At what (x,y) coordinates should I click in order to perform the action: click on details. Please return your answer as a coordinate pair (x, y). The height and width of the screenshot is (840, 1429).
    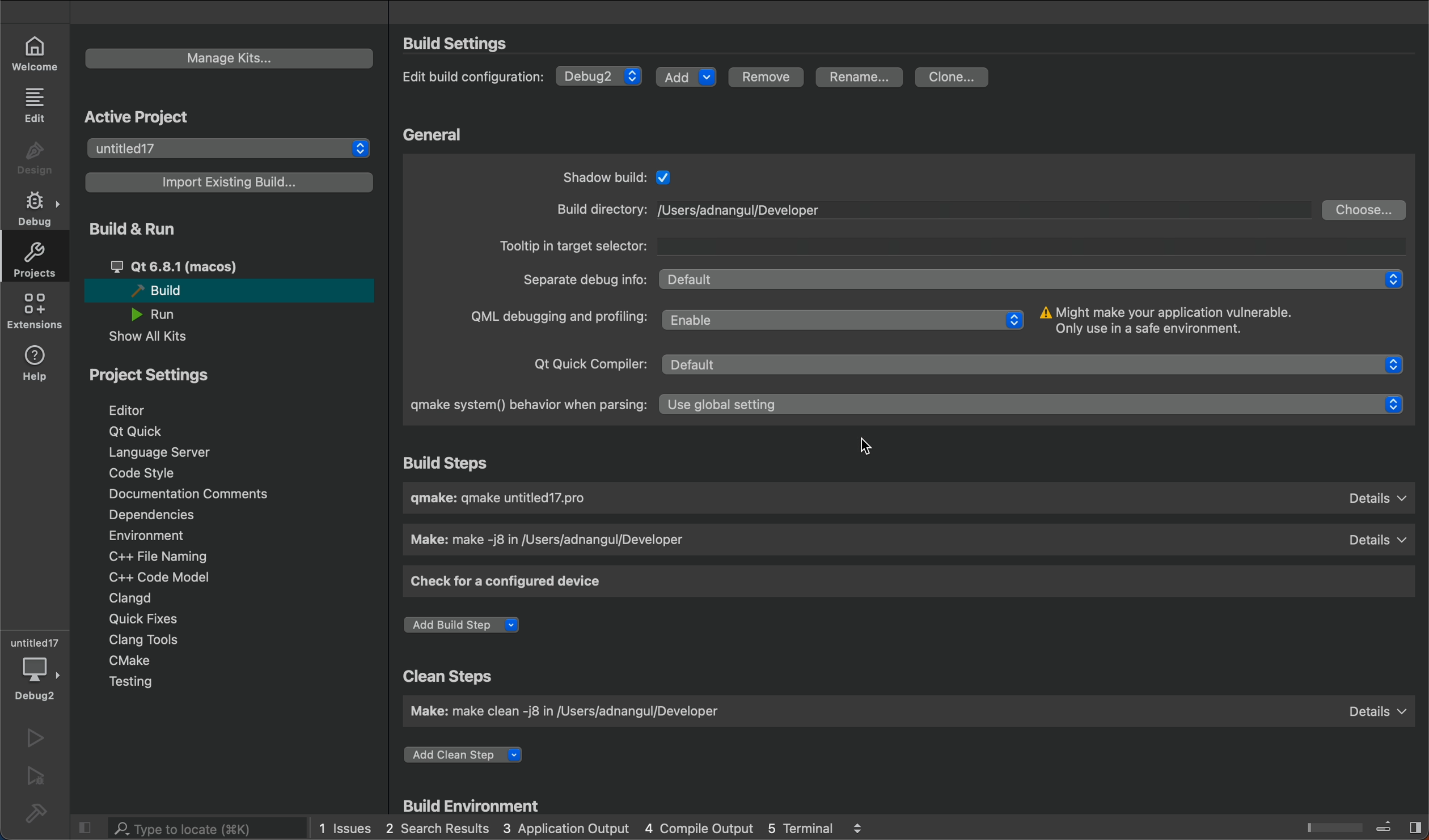
    Looking at the image, I should click on (1381, 714).